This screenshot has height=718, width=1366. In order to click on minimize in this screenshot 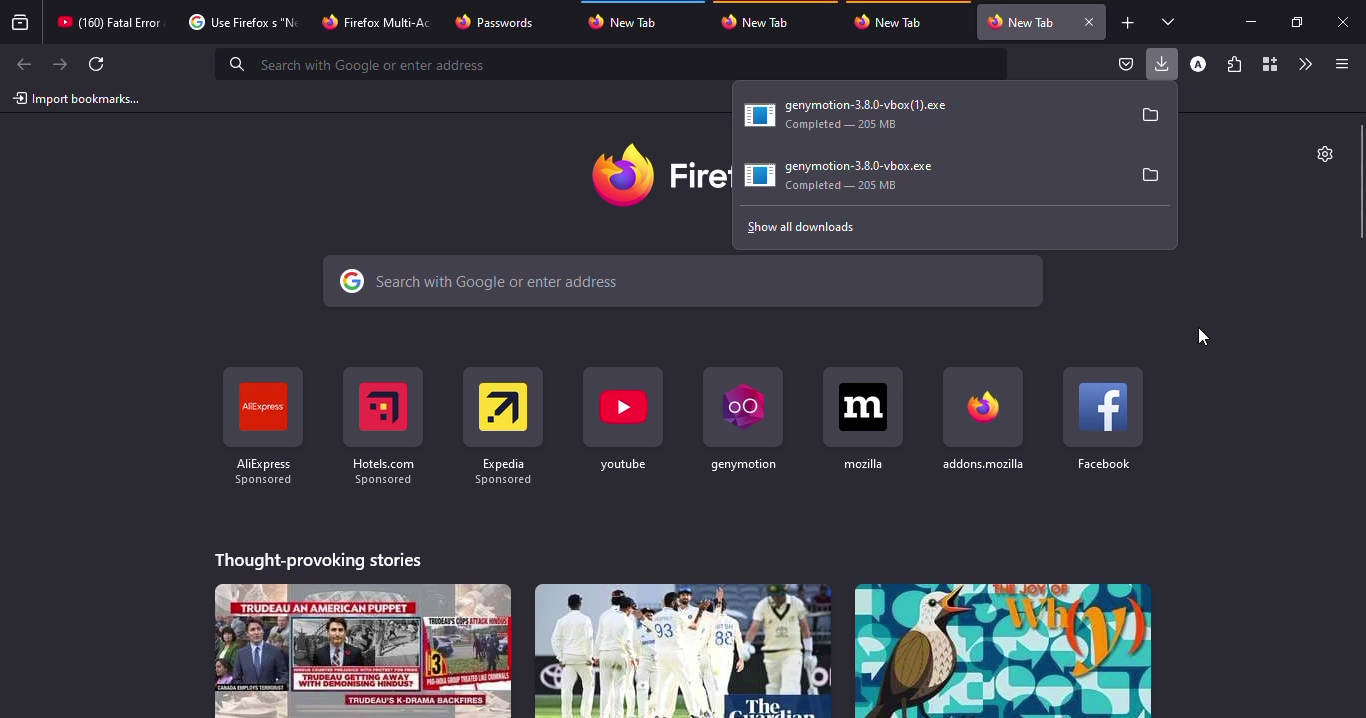, I will do `click(1250, 21)`.